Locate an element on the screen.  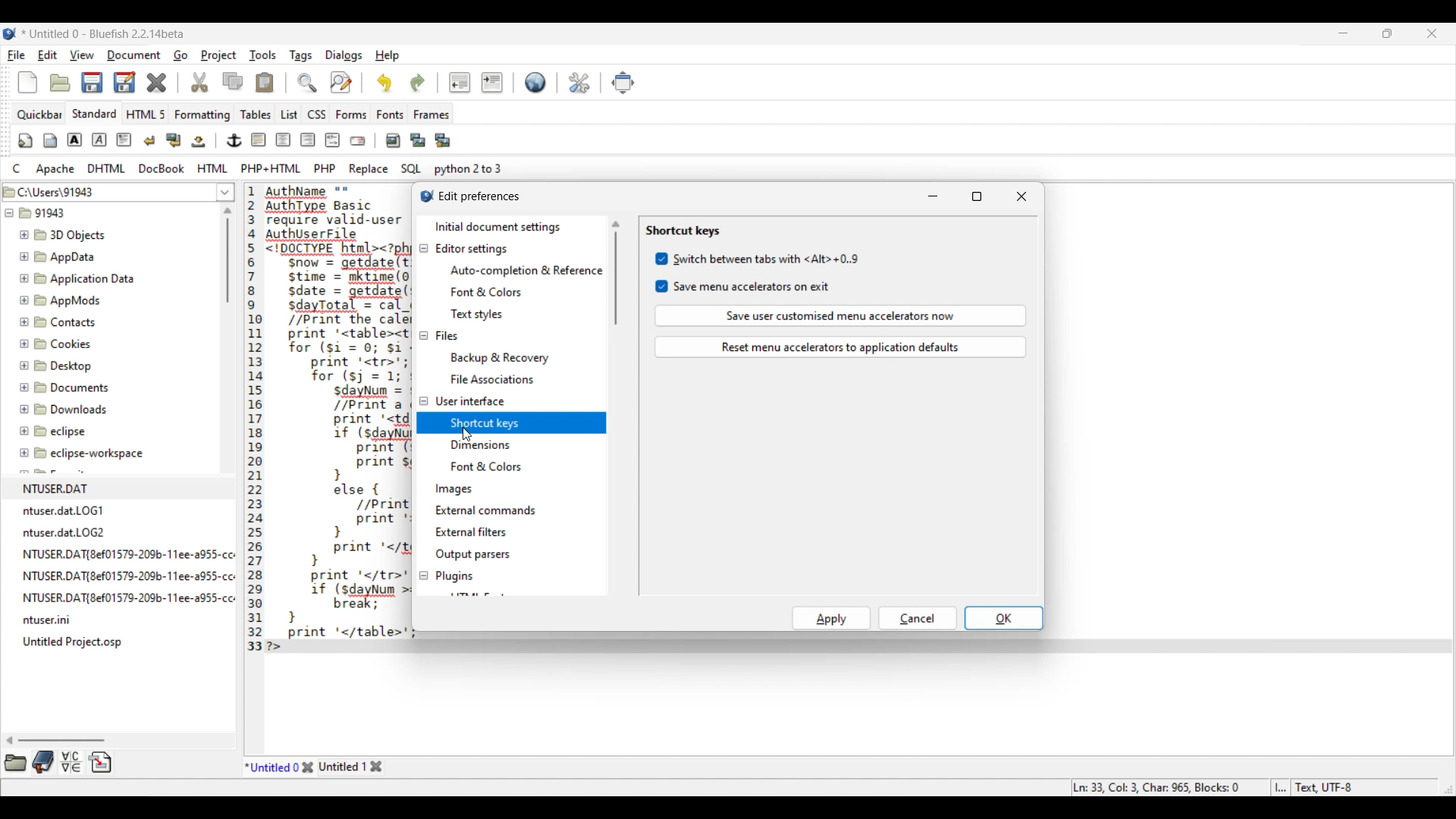
Help menu is located at coordinates (388, 55).